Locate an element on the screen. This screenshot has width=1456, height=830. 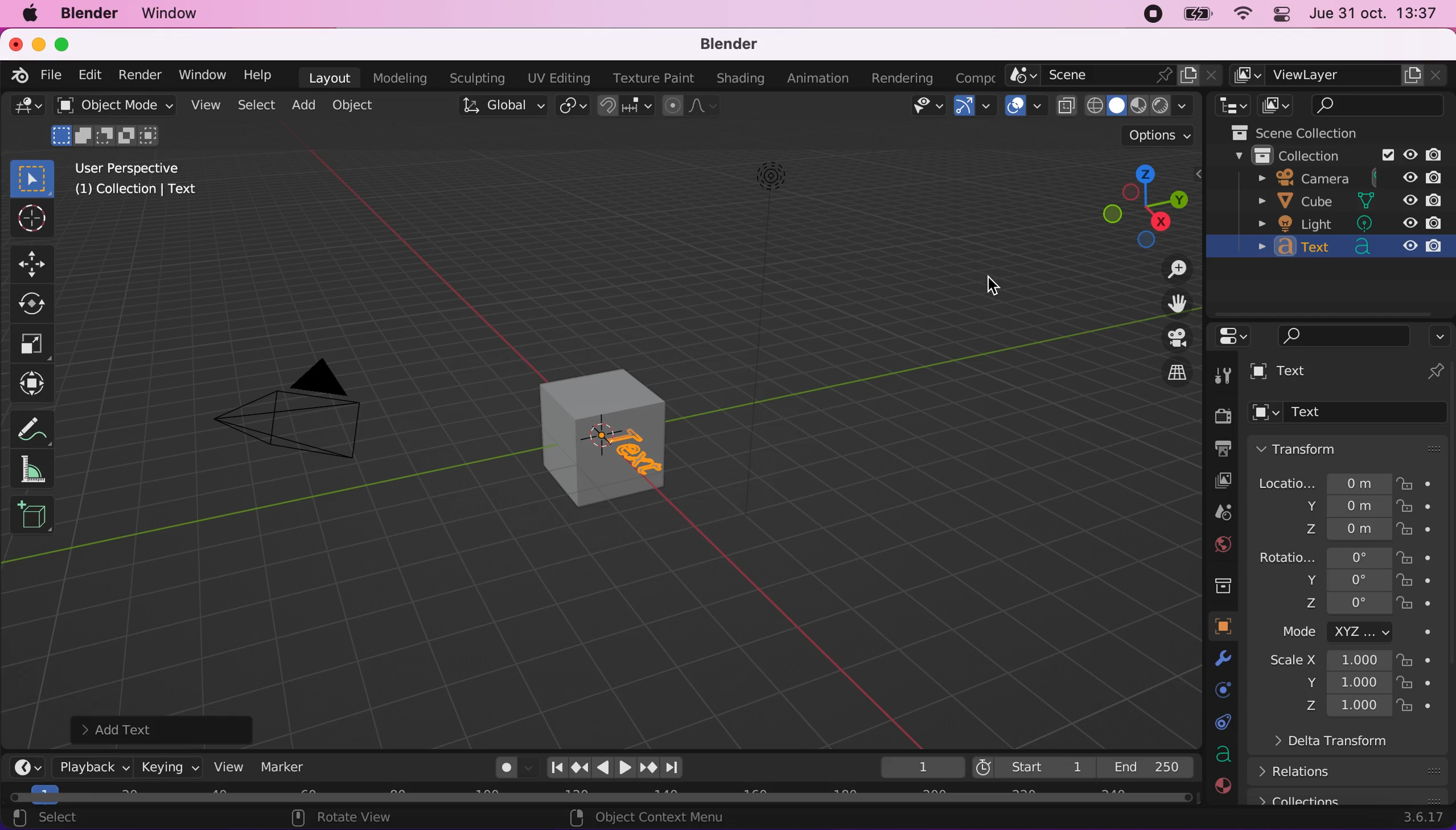
location... 0m is located at coordinates (1322, 483).